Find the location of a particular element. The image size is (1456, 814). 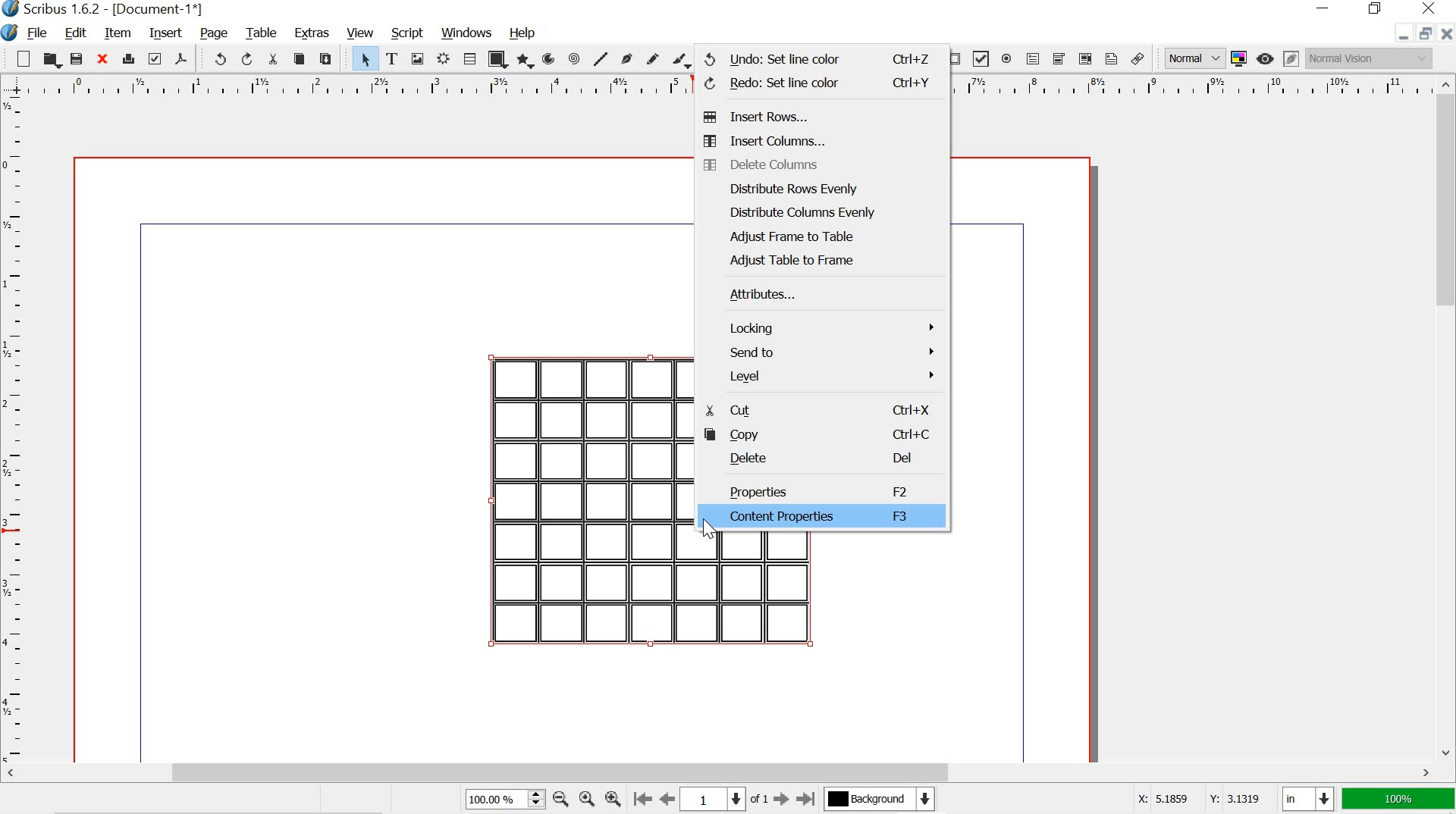

text annotation is located at coordinates (1112, 58).